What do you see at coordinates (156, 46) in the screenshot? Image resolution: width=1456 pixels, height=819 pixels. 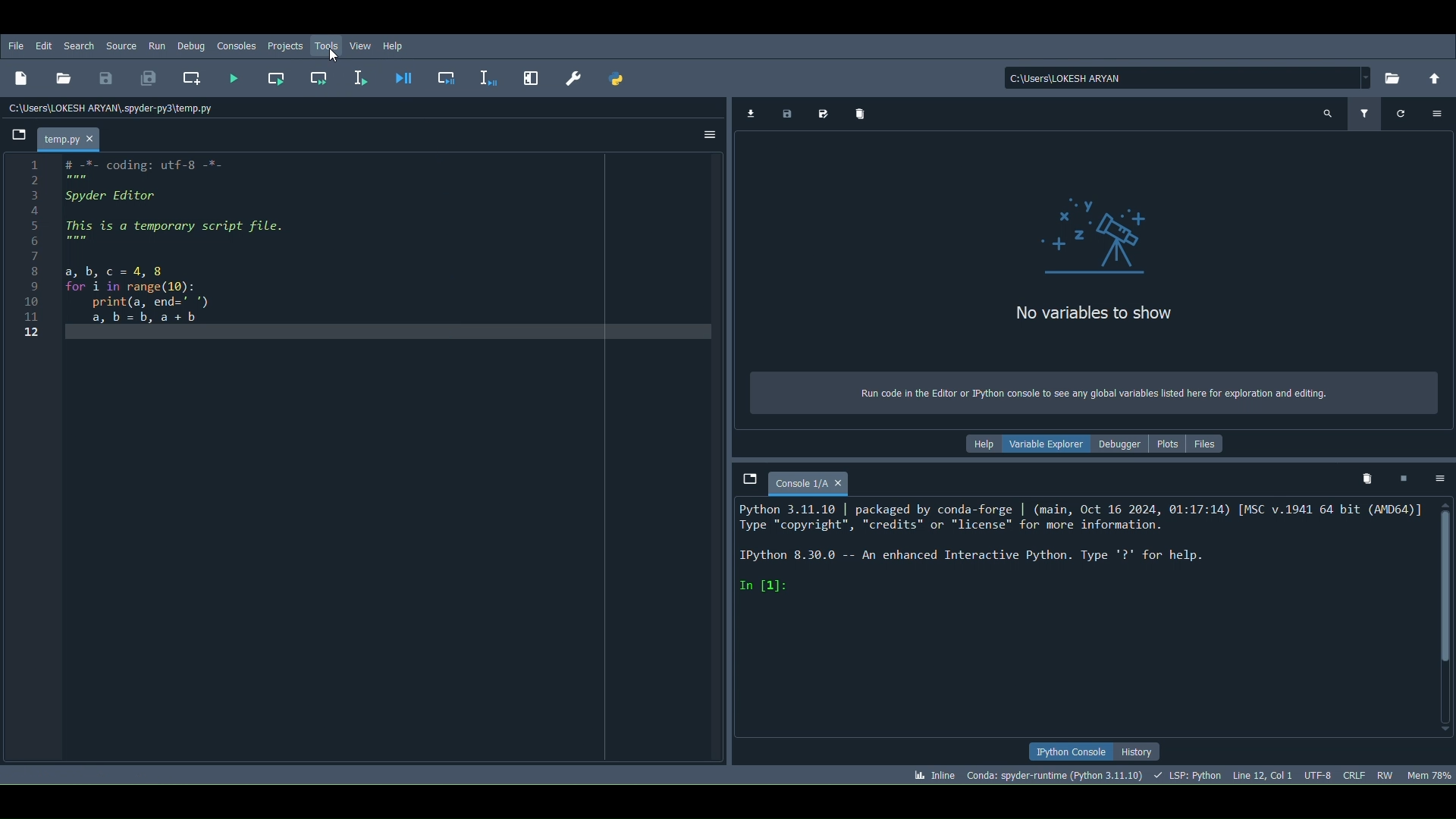 I see `Run` at bounding box center [156, 46].